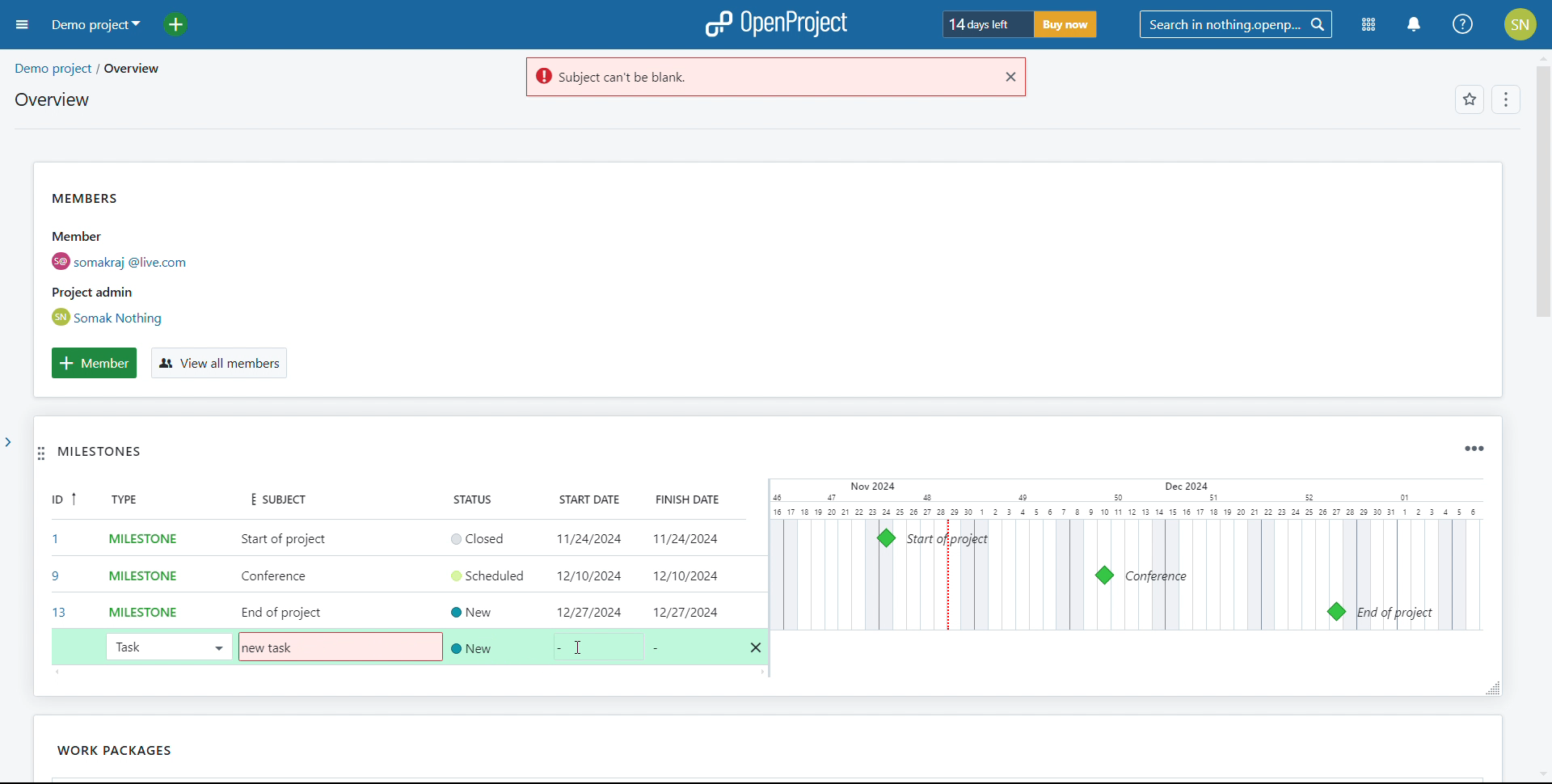 The width and height of the screenshot is (1552, 784). What do you see at coordinates (1369, 26) in the screenshot?
I see `modules` at bounding box center [1369, 26].